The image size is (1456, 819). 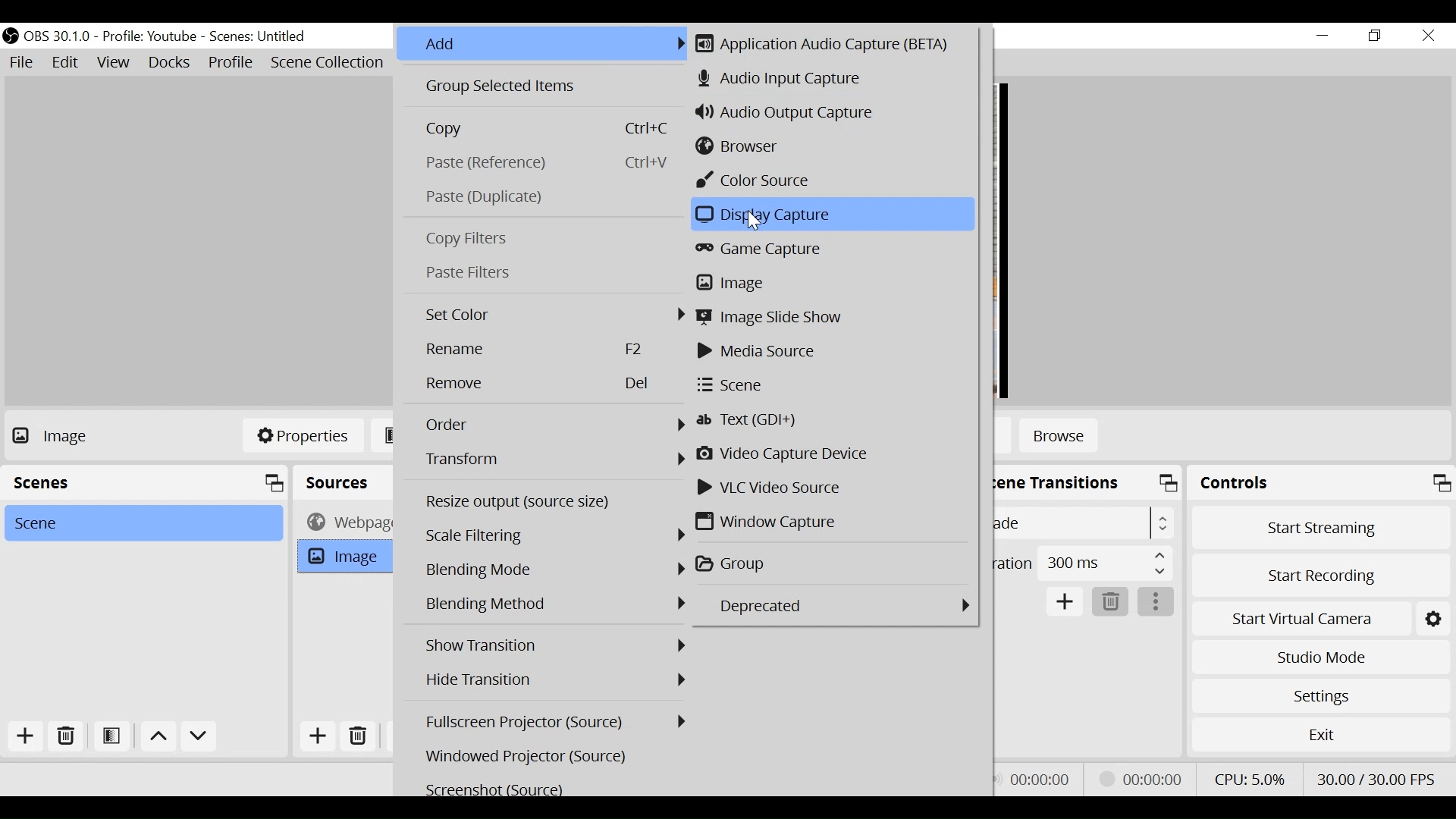 What do you see at coordinates (543, 197) in the screenshot?
I see `Paste (Duplicate)` at bounding box center [543, 197].